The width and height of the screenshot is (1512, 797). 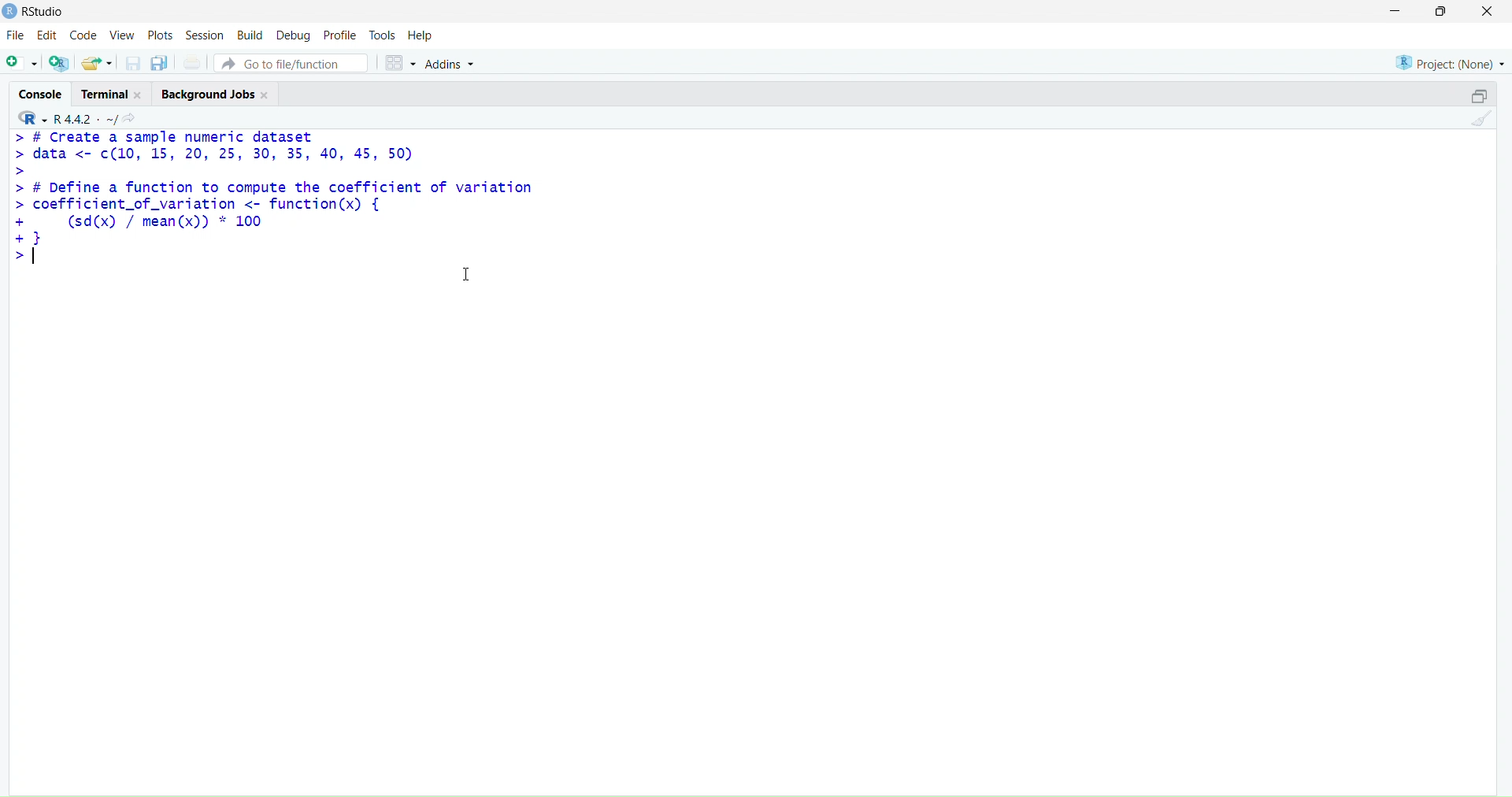 I want to click on edit, so click(x=47, y=35).